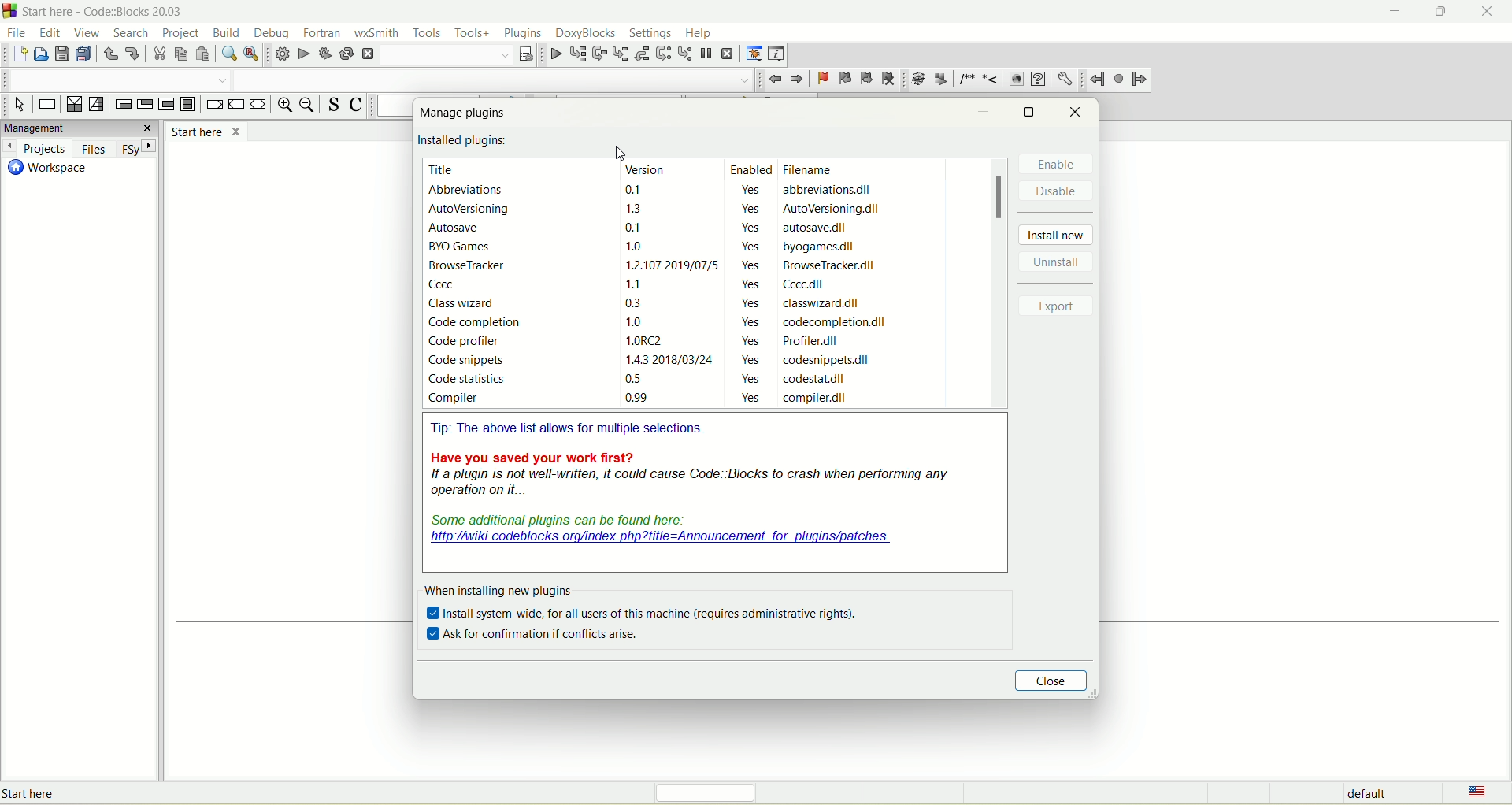  I want to click on ‘Code statistics 05 Yes  codestatdll, so click(643, 380).